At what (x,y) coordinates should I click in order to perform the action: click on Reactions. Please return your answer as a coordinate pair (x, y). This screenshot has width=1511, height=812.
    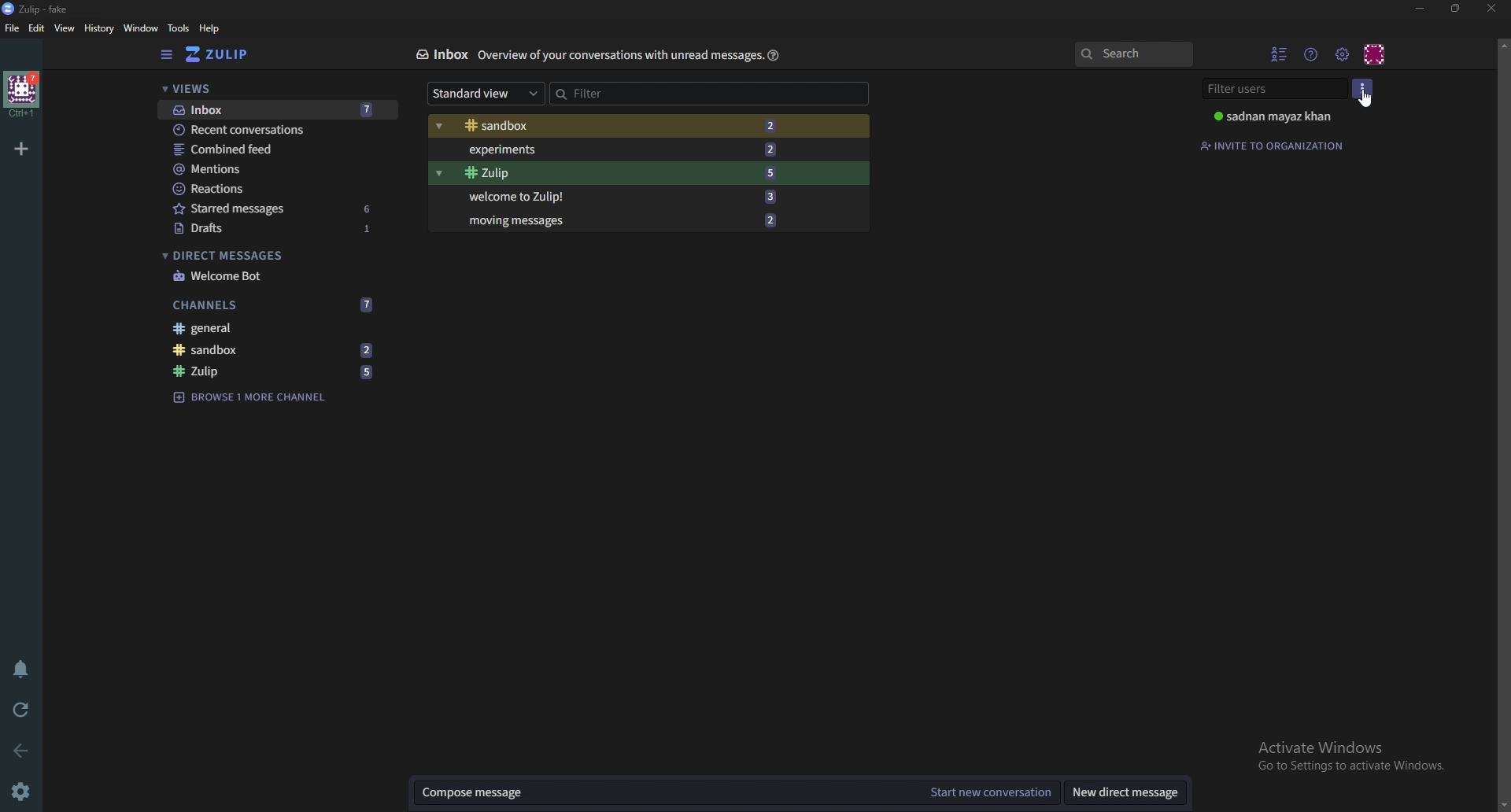
    Looking at the image, I should click on (279, 188).